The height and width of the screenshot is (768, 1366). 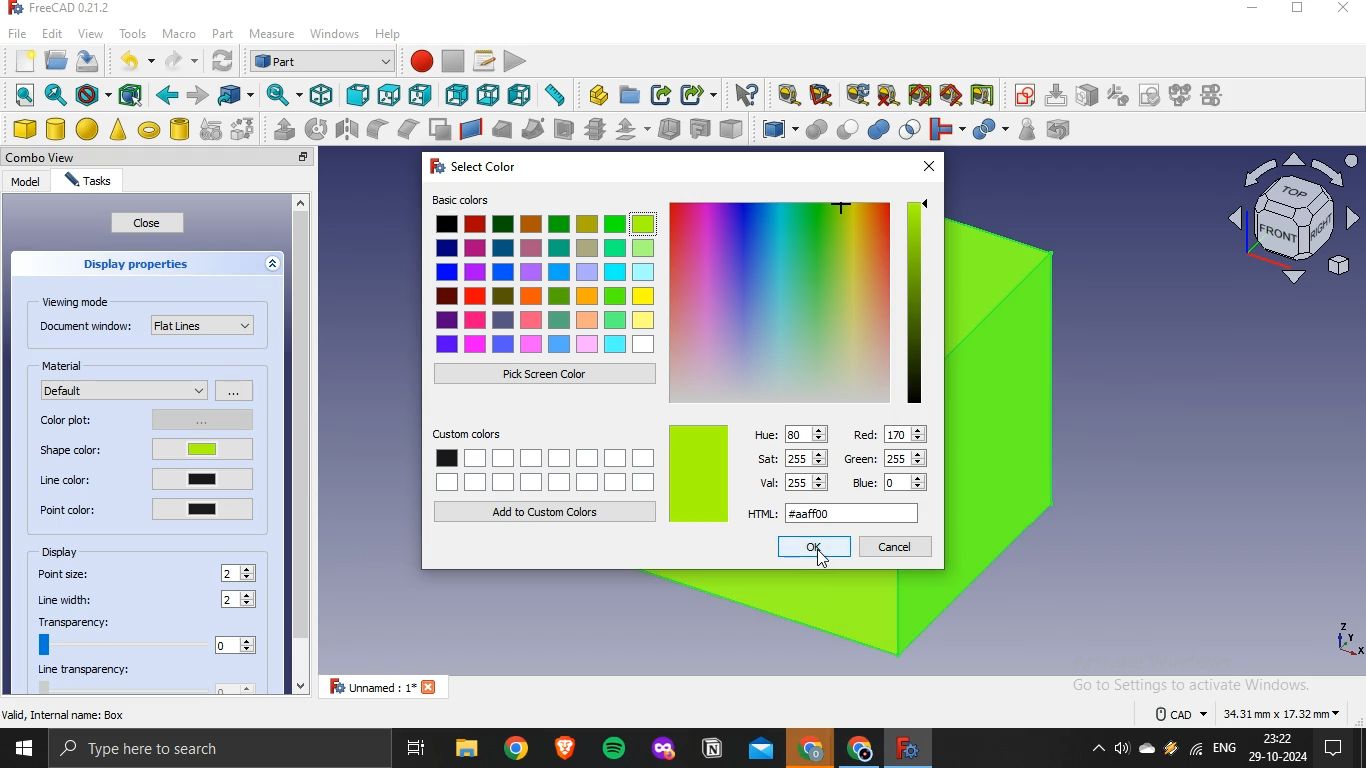 What do you see at coordinates (88, 129) in the screenshot?
I see `sphere` at bounding box center [88, 129].